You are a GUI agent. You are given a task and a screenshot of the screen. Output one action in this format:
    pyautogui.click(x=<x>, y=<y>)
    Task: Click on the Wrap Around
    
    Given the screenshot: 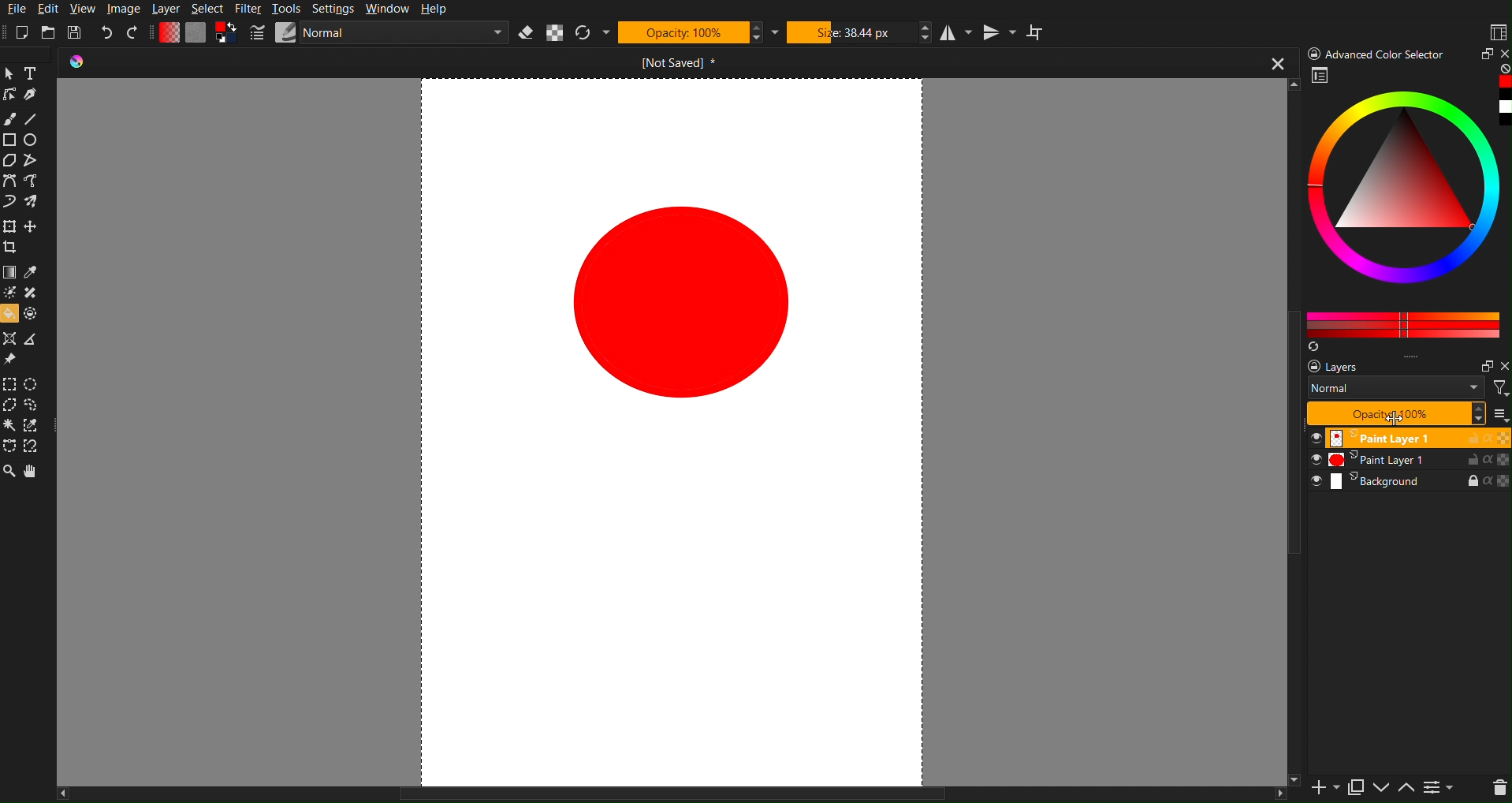 What is the action you would take?
    pyautogui.click(x=1037, y=35)
    